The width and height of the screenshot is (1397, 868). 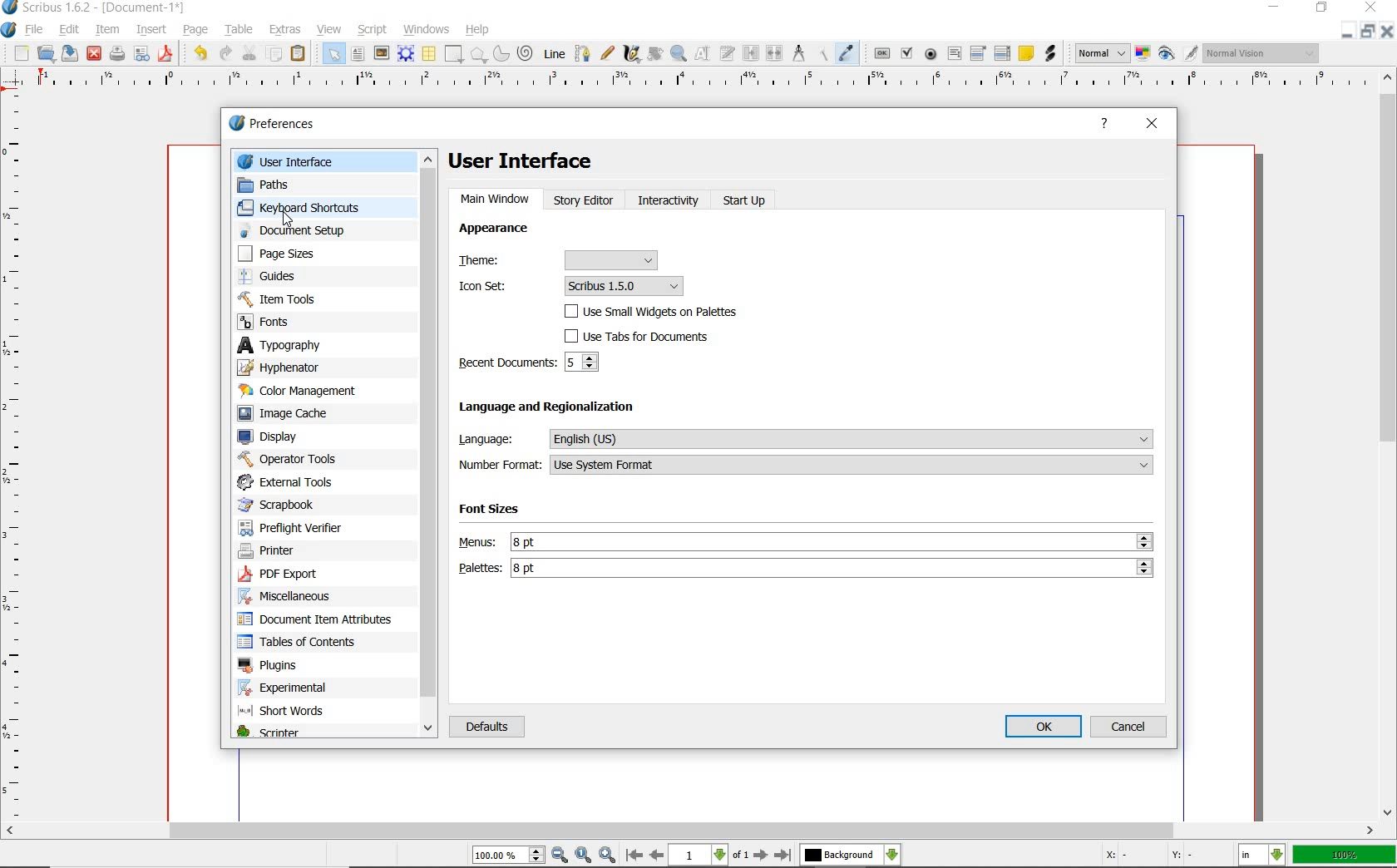 I want to click on preflight verifier, so click(x=291, y=525).